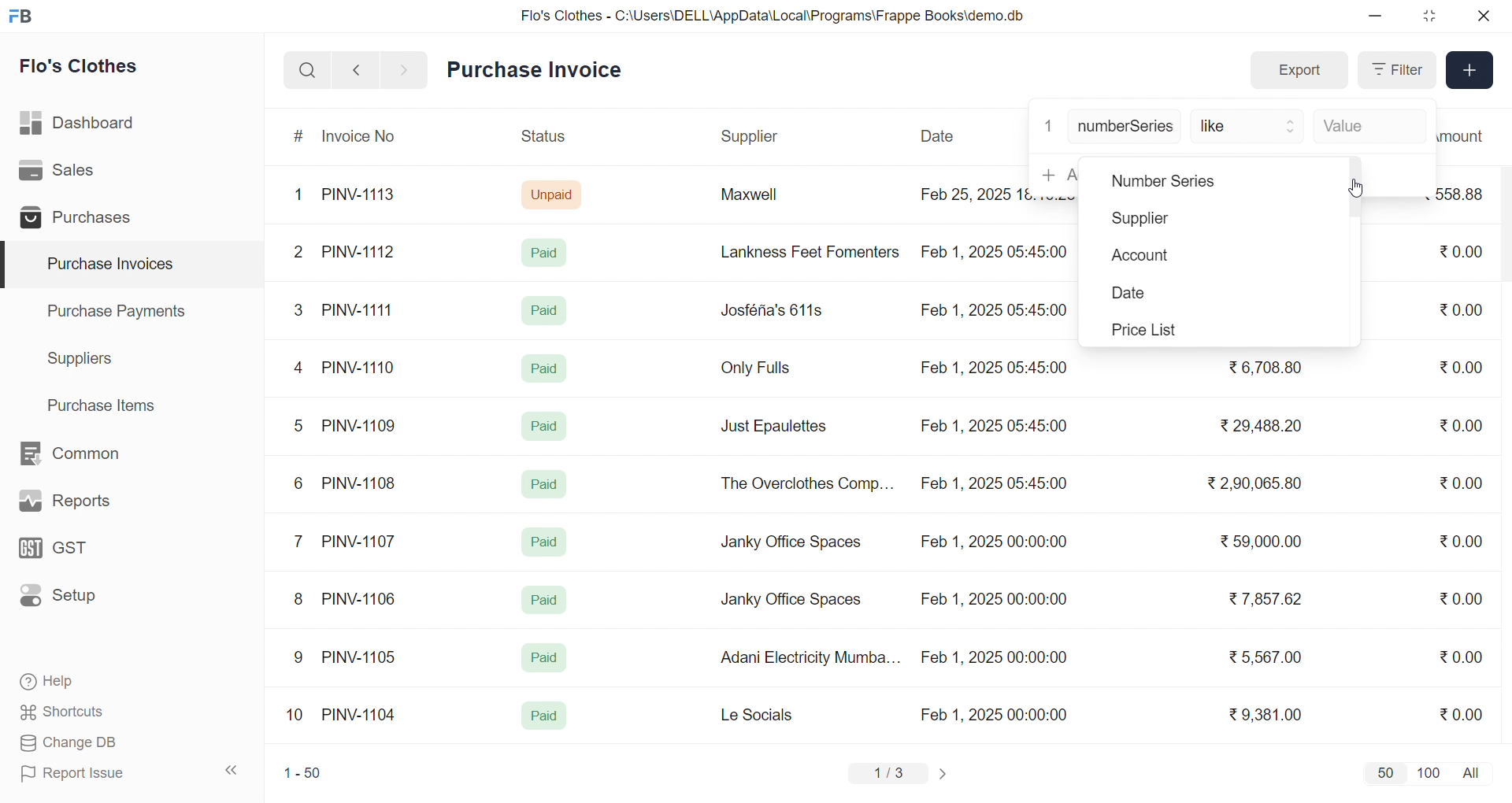  I want to click on 2, so click(301, 254).